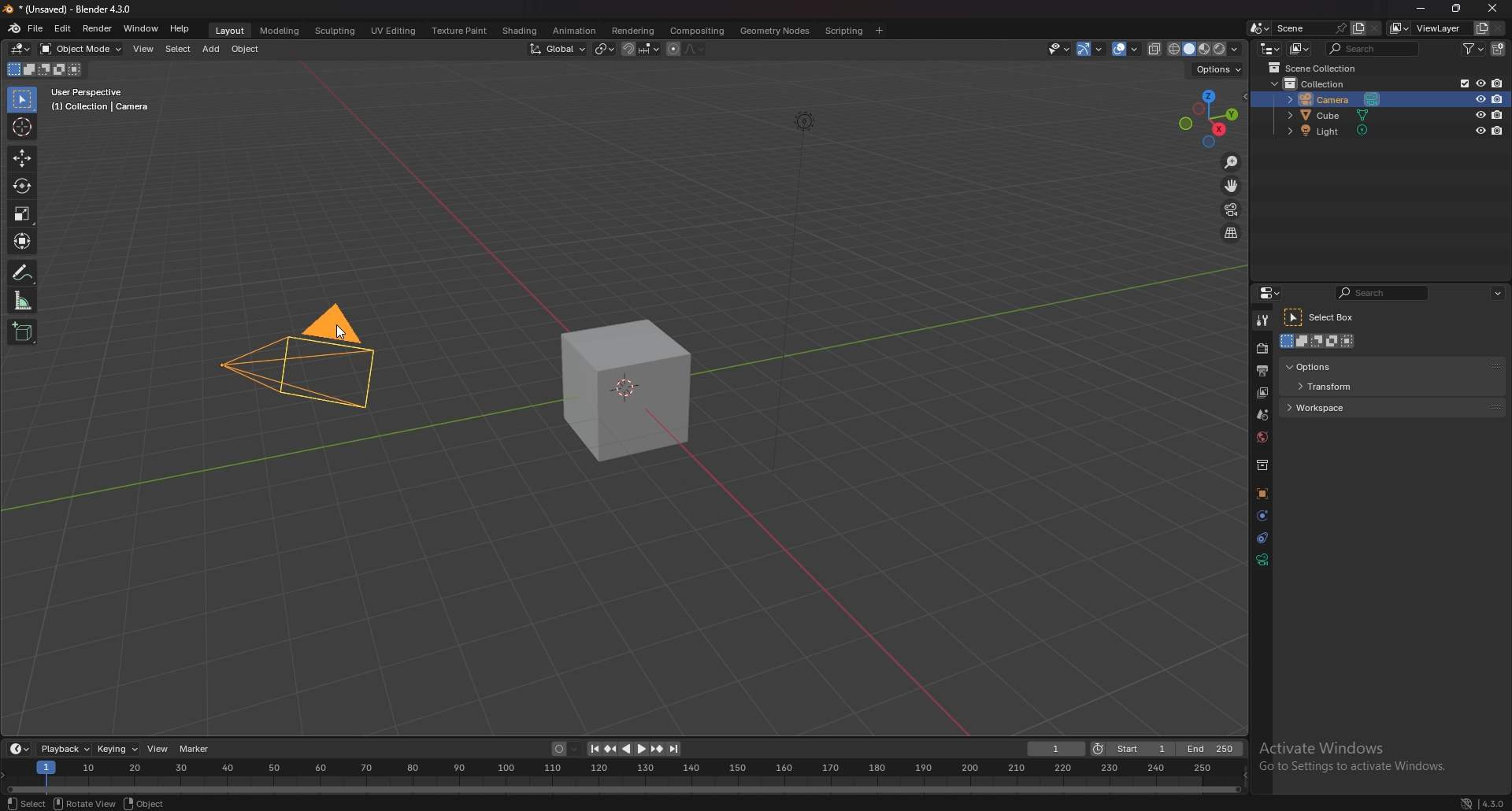 This screenshot has height=811, width=1512. What do you see at coordinates (1261, 350) in the screenshot?
I see `render` at bounding box center [1261, 350].